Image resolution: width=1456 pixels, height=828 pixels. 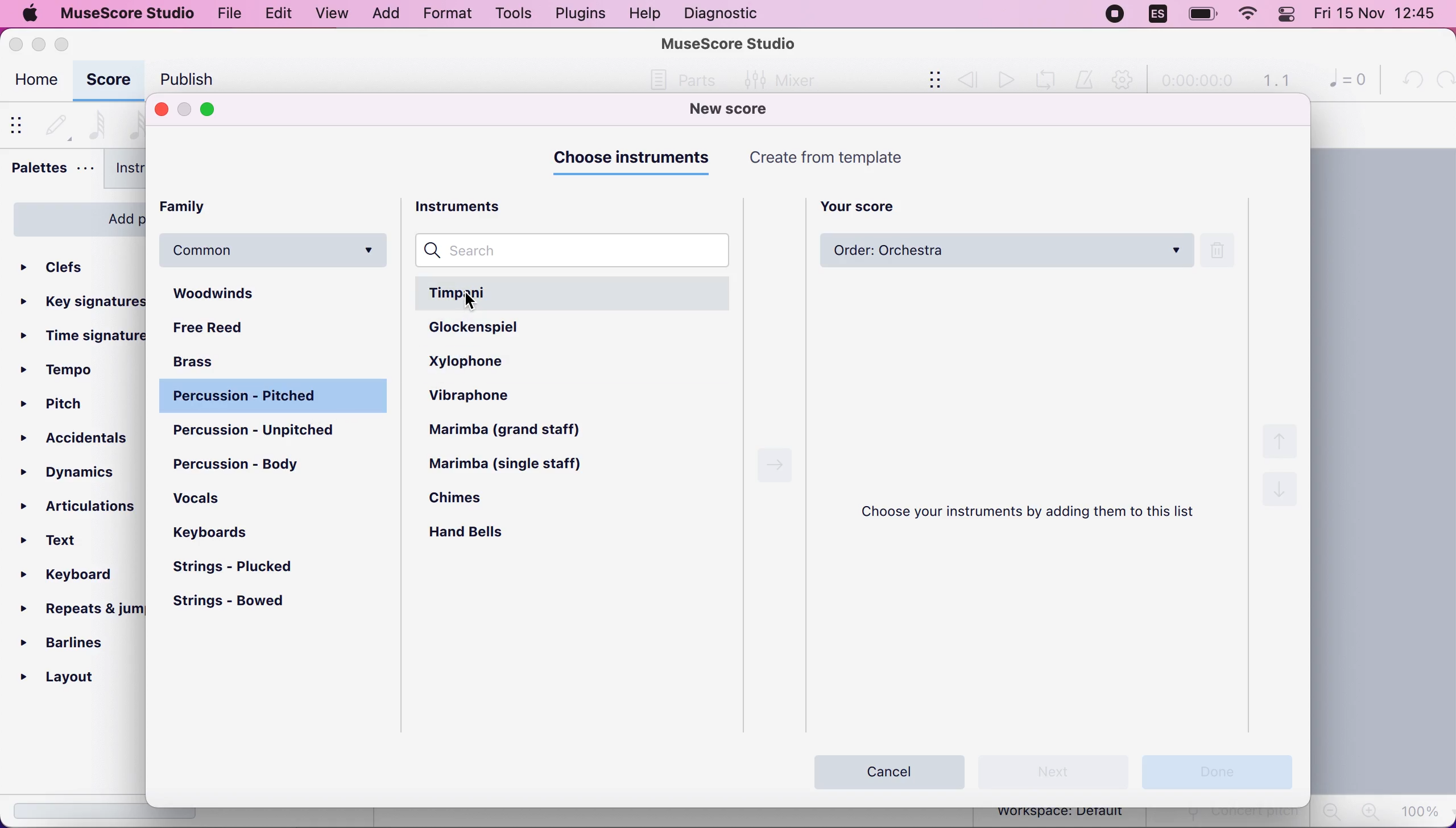 What do you see at coordinates (17, 44) in the screenshot?
I see `close` at bounding box center [17, 44].